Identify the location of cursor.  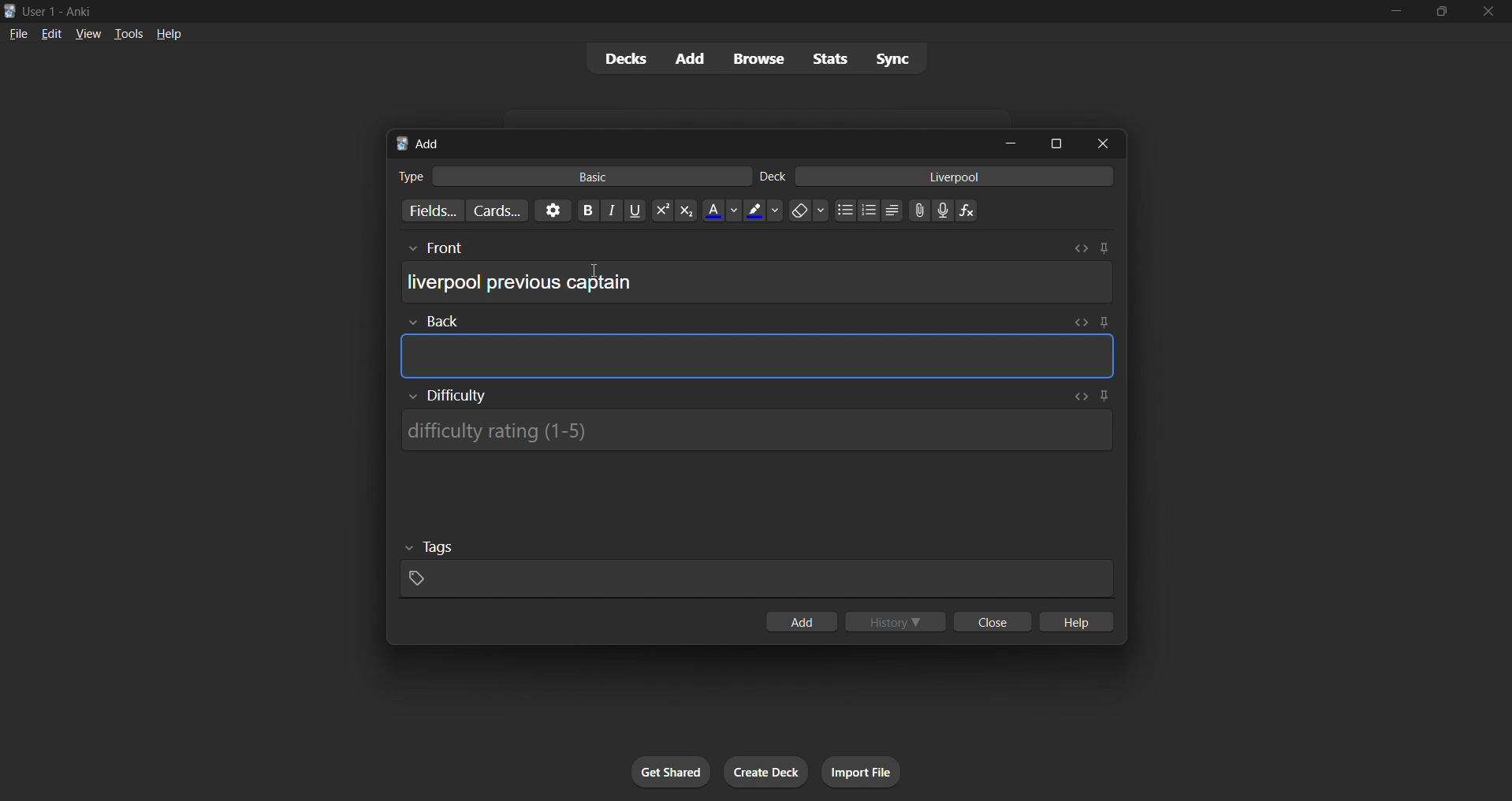
(592, 271).